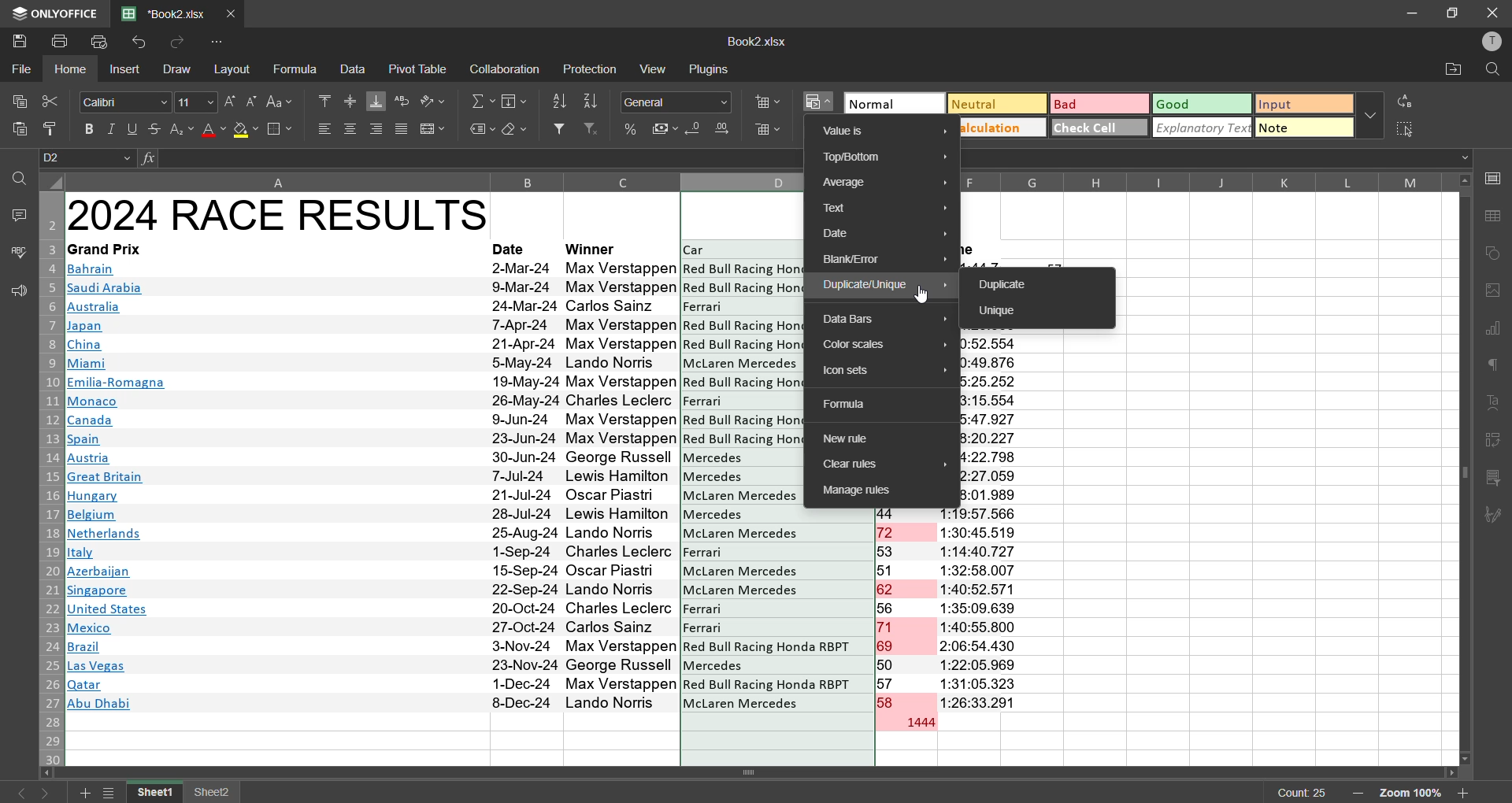  What do you see at coordinates (175, 68) in the screenshot?
I see `draw` at bounding box center [175, 68].